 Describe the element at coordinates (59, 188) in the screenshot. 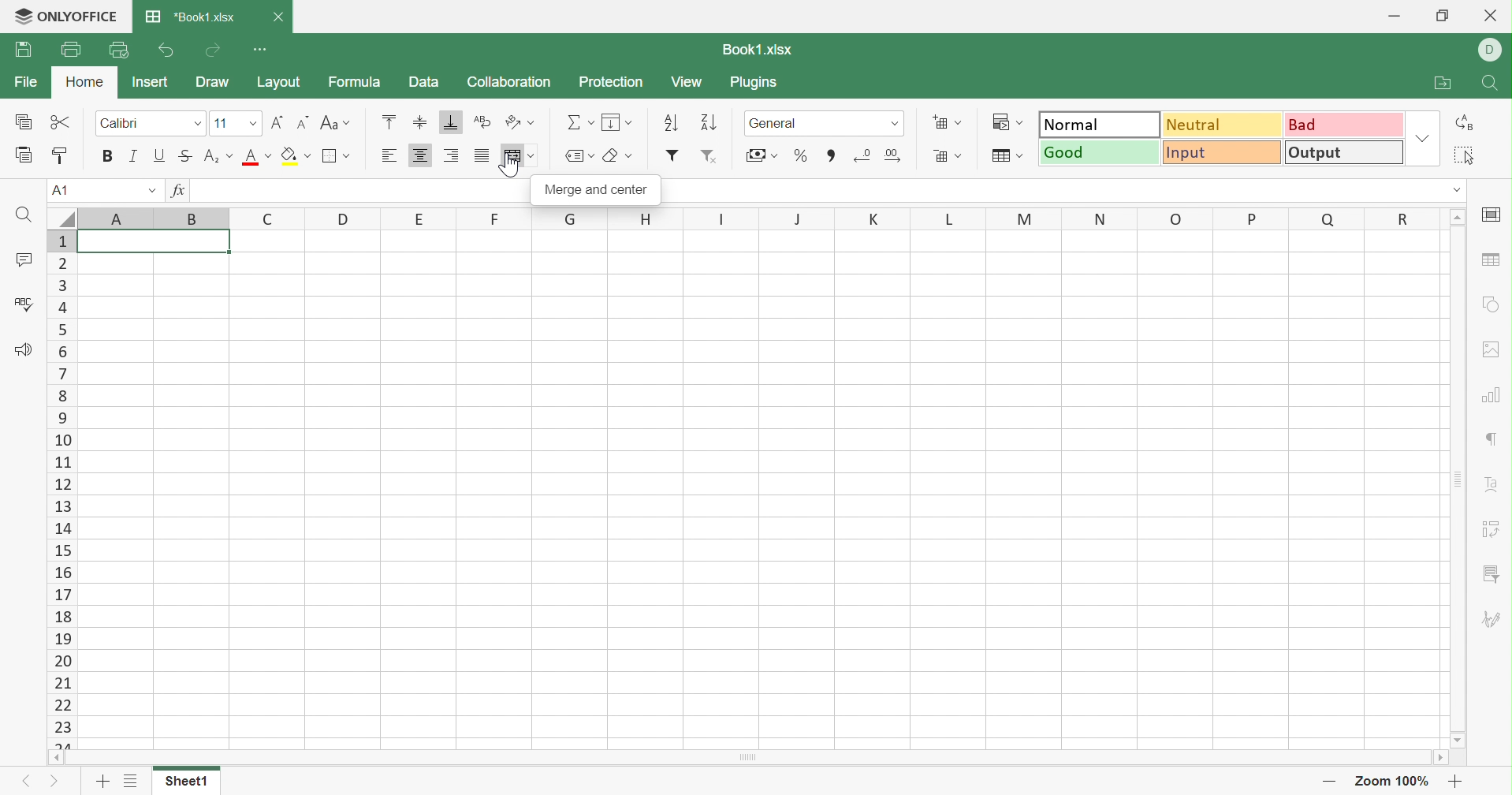

I see `A1` at that location.